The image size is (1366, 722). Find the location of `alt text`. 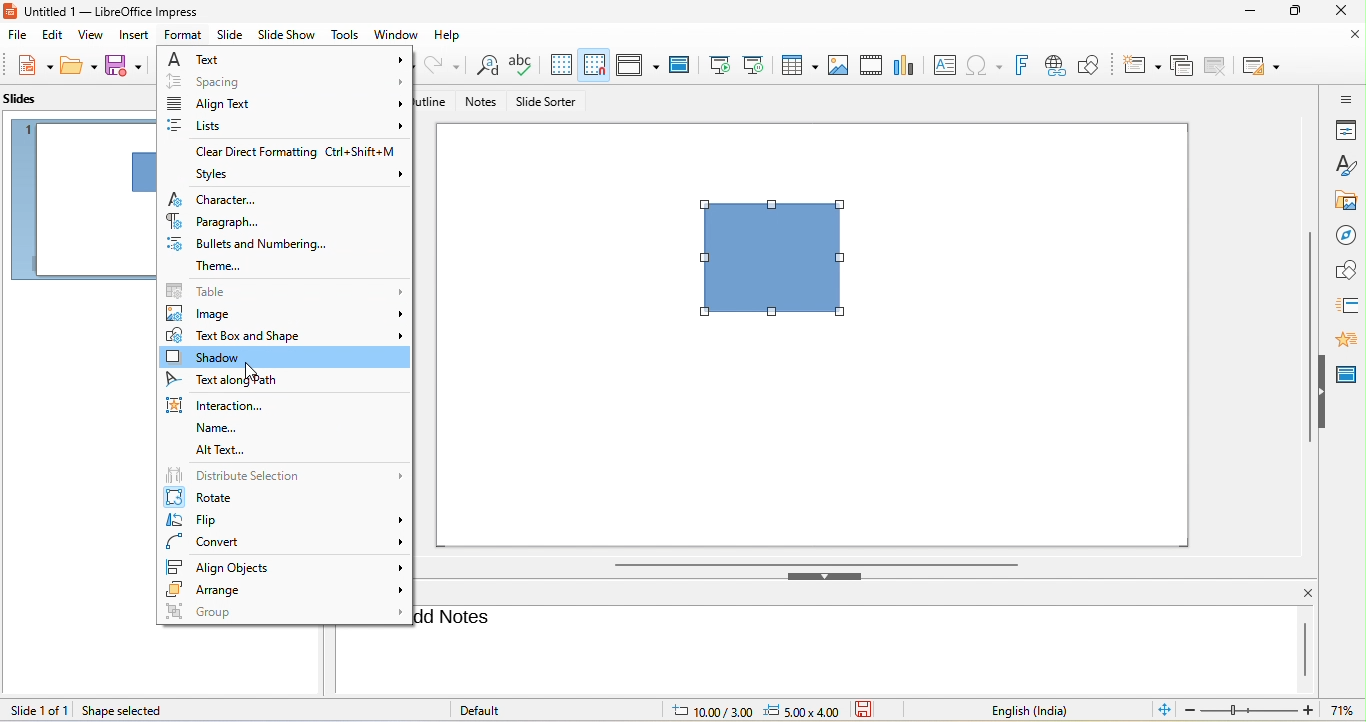

alt text is located at coordinates (222, 451).